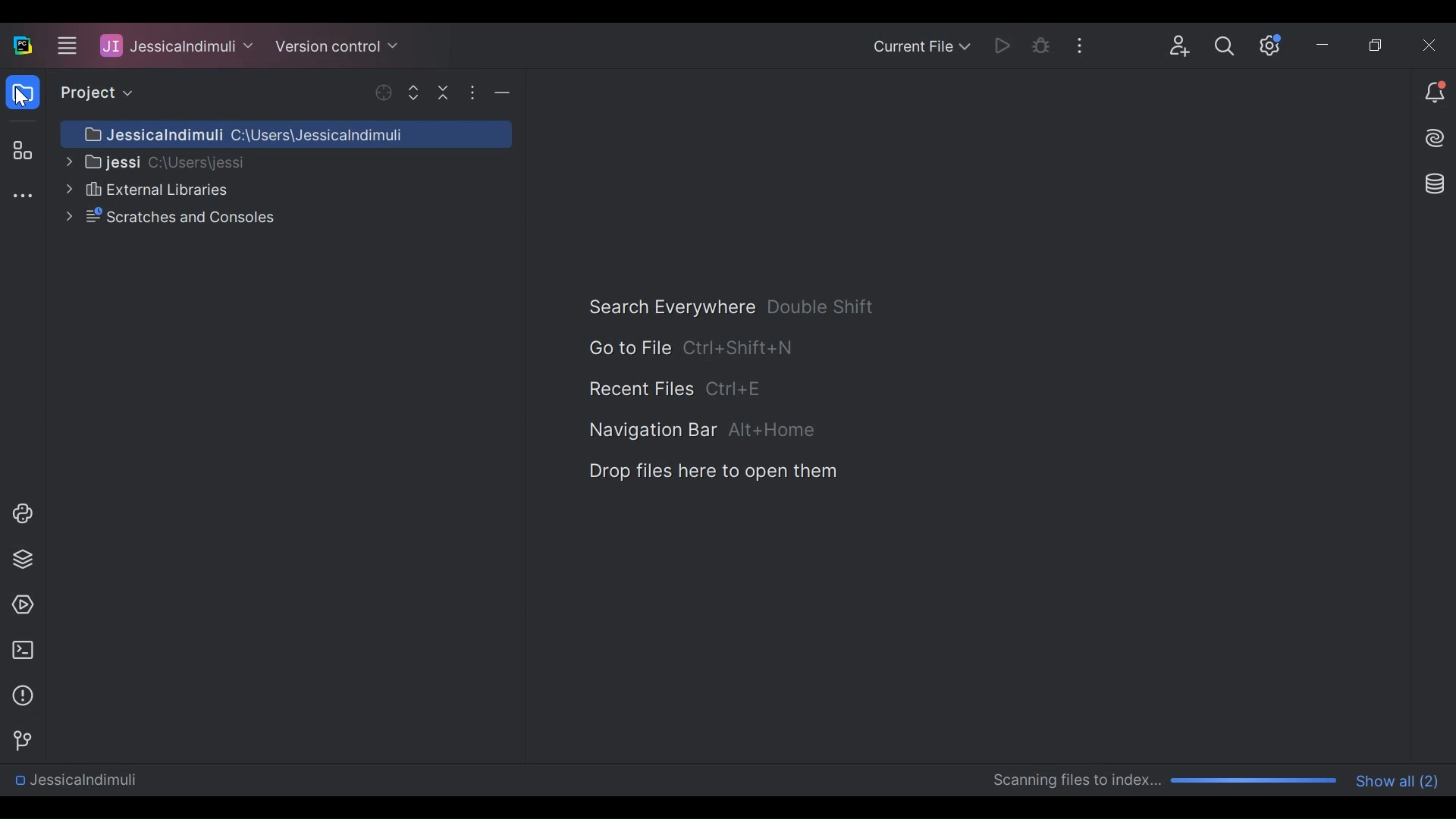 This screenshot has height=819, width=1456. Describe the element at coordinates (145, 162) in the screenshot. I see `Project Directory` at that location.